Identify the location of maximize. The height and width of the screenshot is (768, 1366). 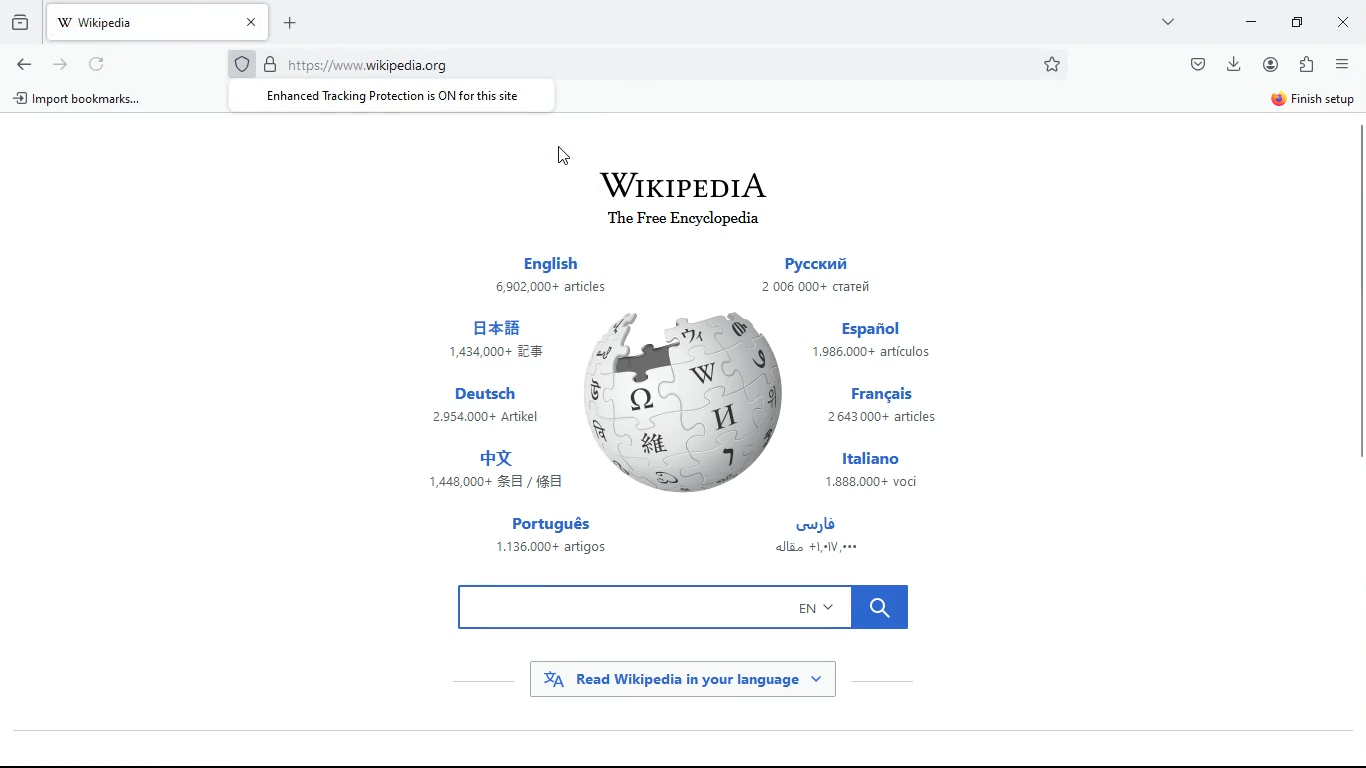
(1296, 22).